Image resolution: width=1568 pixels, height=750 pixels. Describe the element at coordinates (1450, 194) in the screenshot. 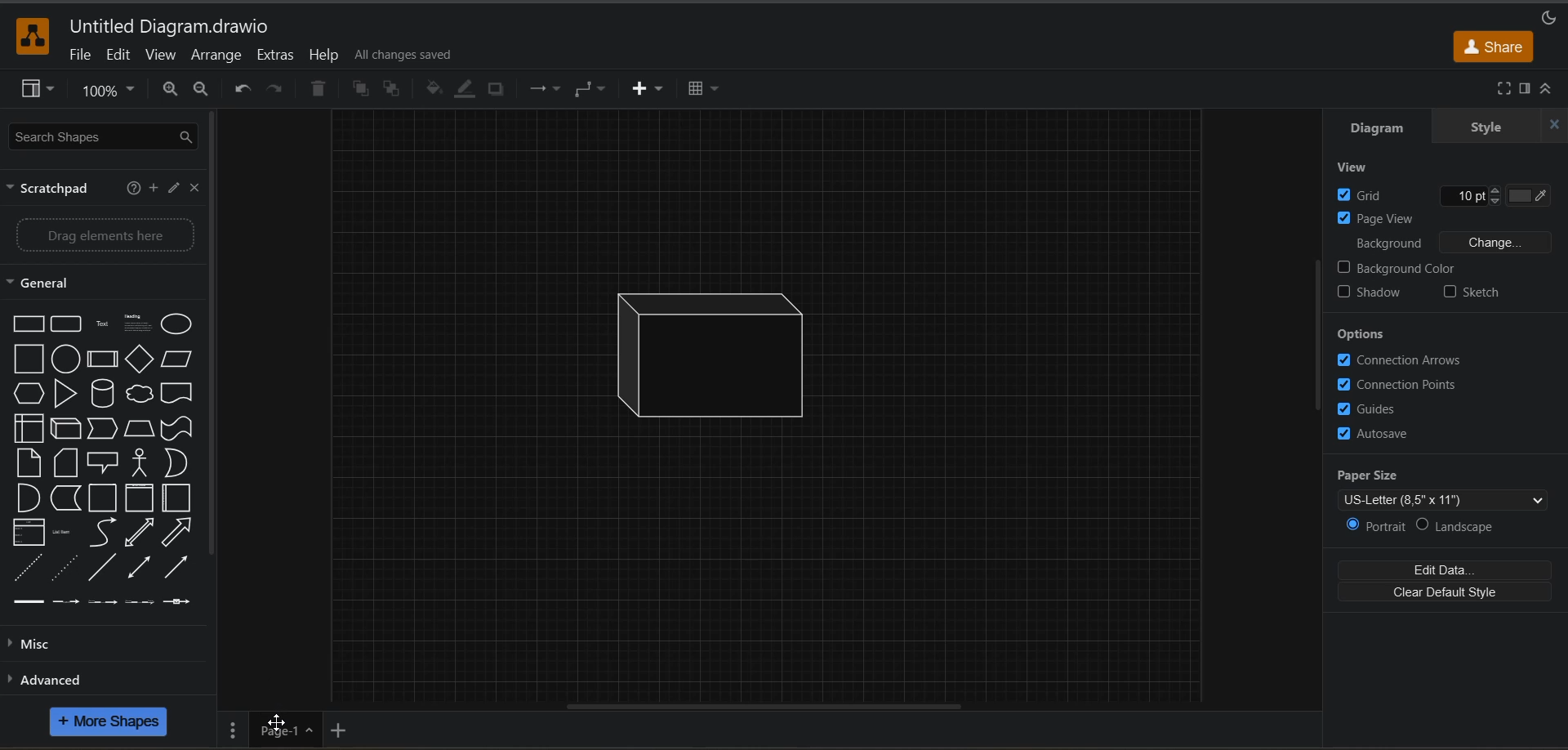

I see `Grid size` at that location.